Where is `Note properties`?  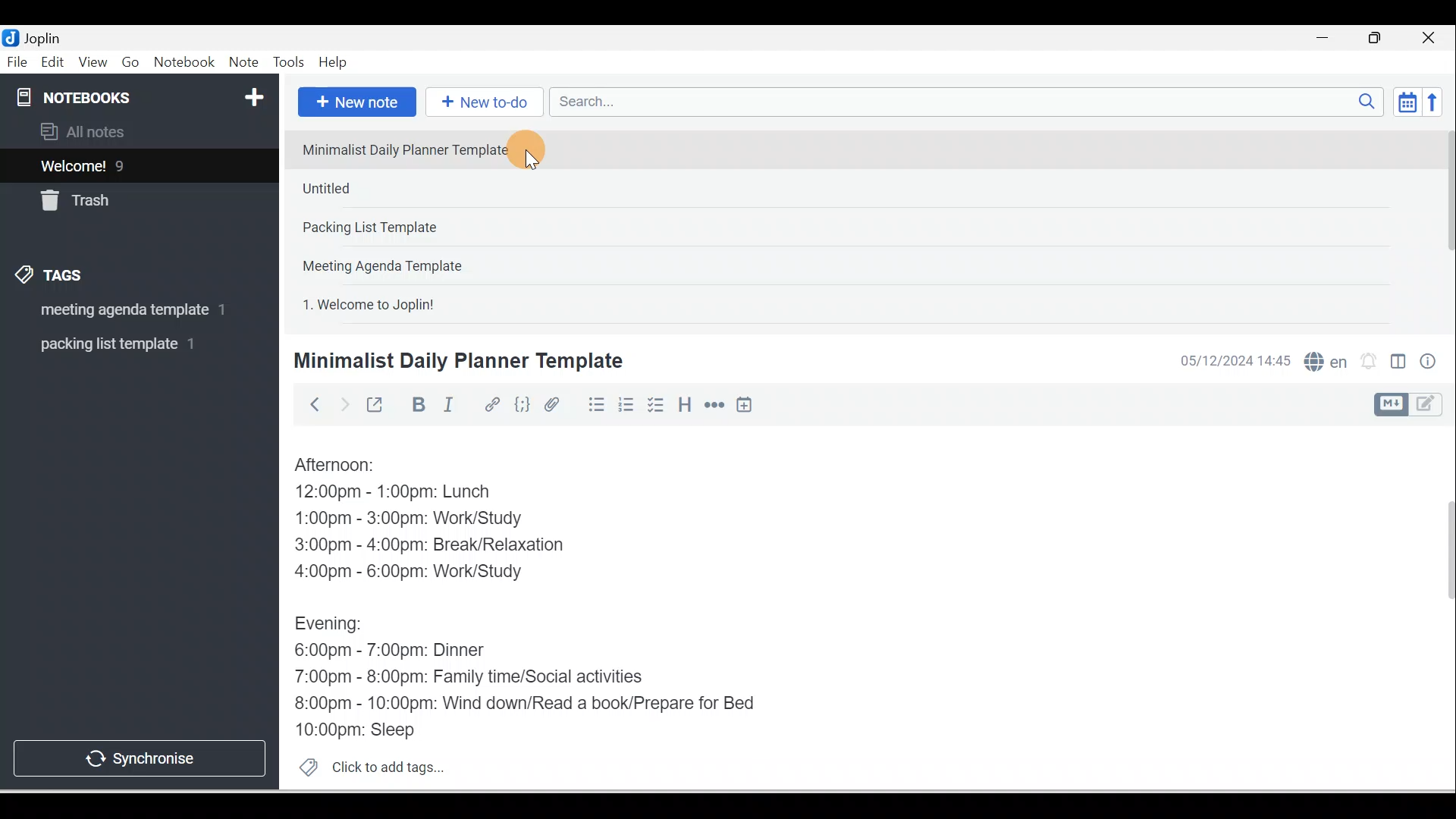
Note properties is located at coordinates (1429, 363).